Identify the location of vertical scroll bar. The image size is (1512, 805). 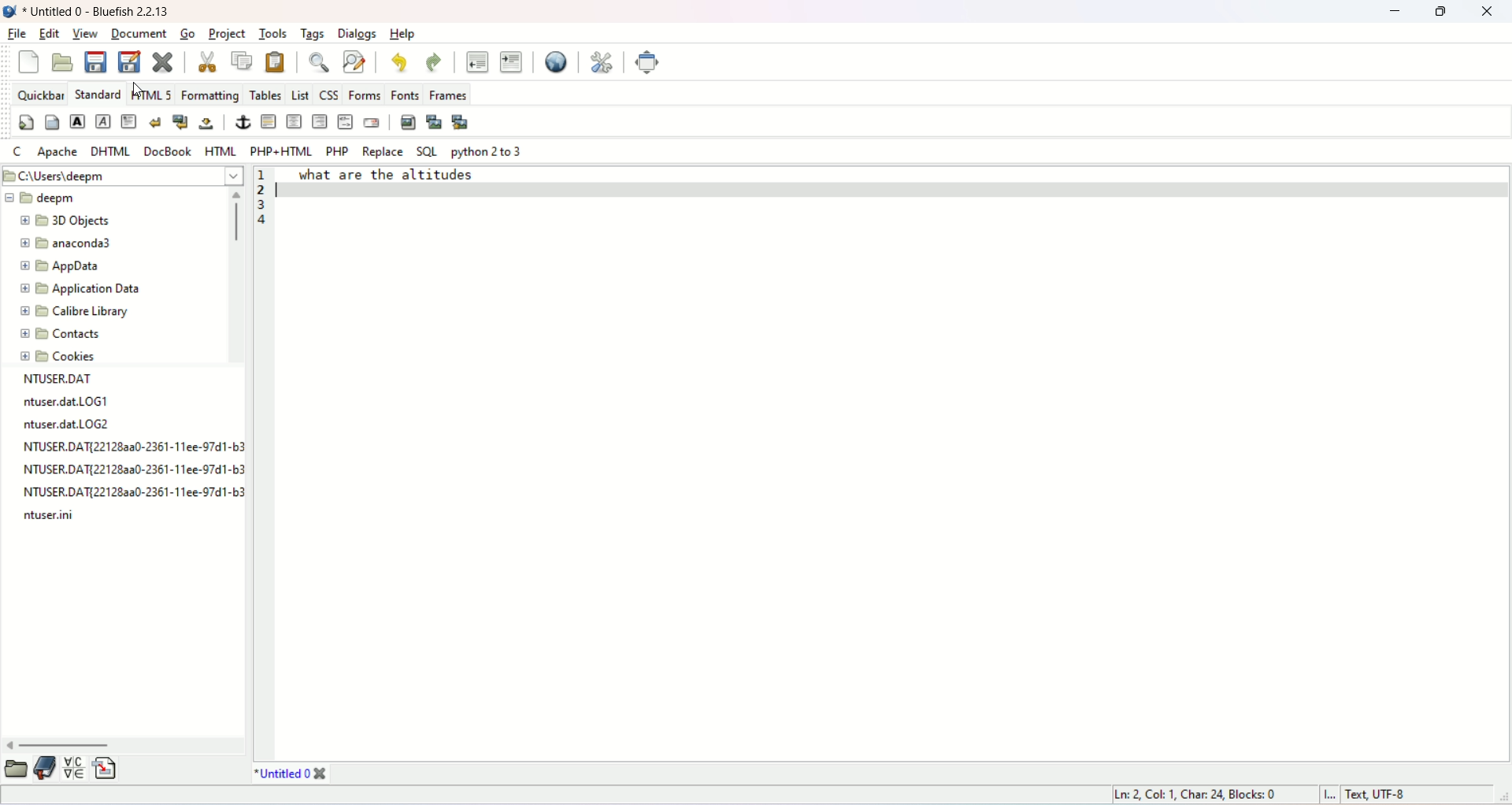
(233, 276).